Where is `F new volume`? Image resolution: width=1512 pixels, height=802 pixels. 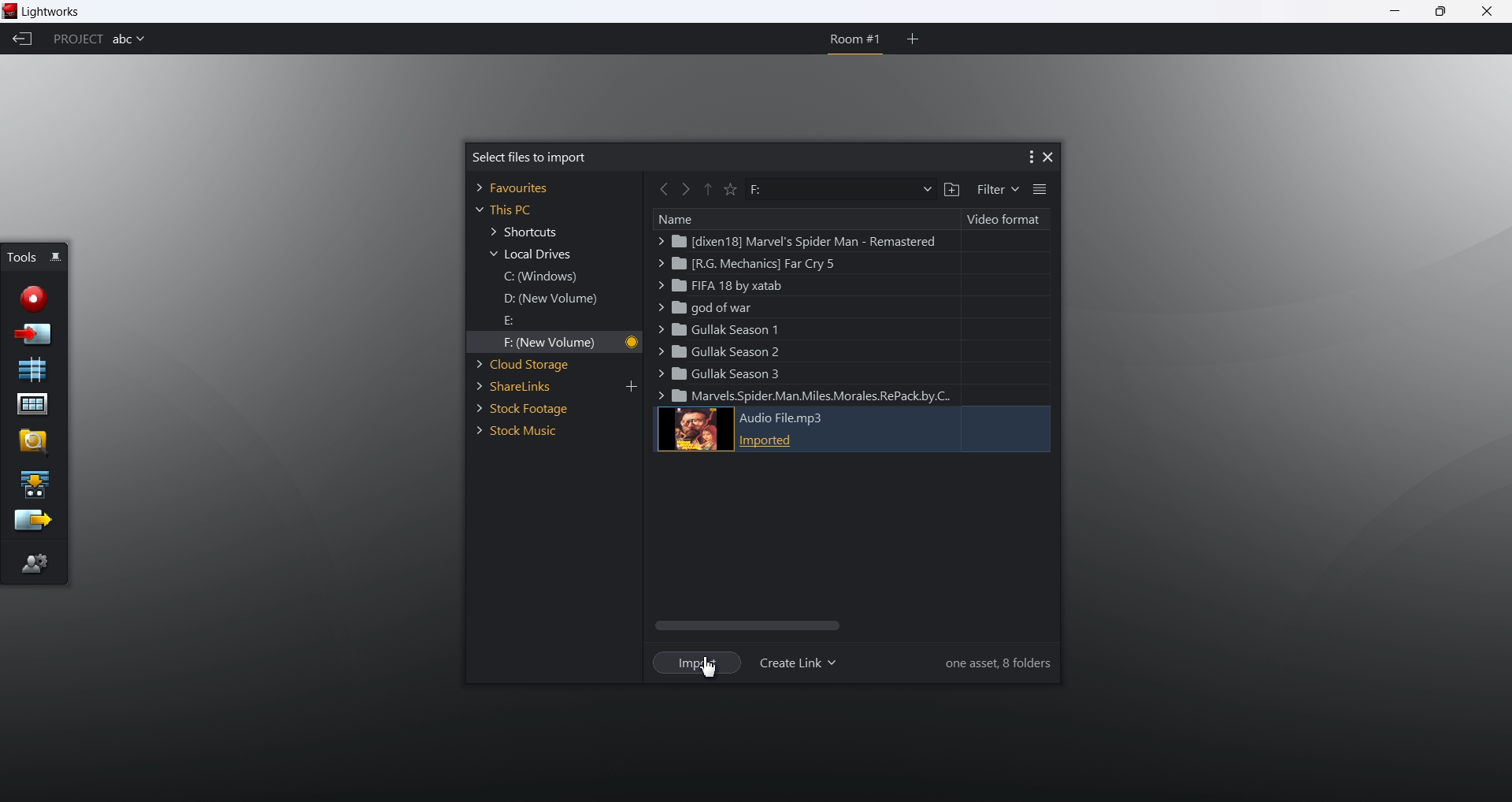
F new volume is located at coordinates (564, 343).